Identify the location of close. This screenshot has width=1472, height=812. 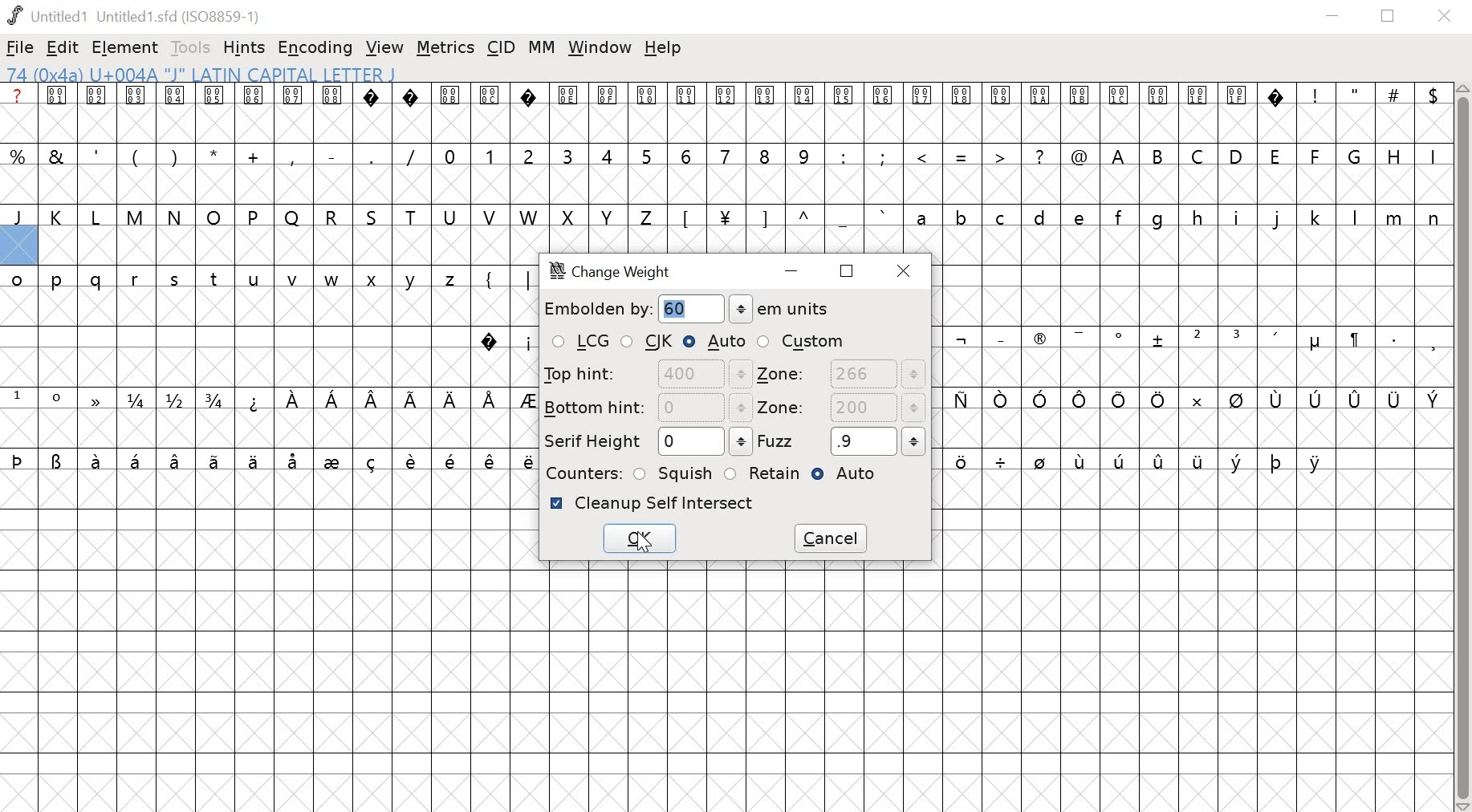
(907, 270).